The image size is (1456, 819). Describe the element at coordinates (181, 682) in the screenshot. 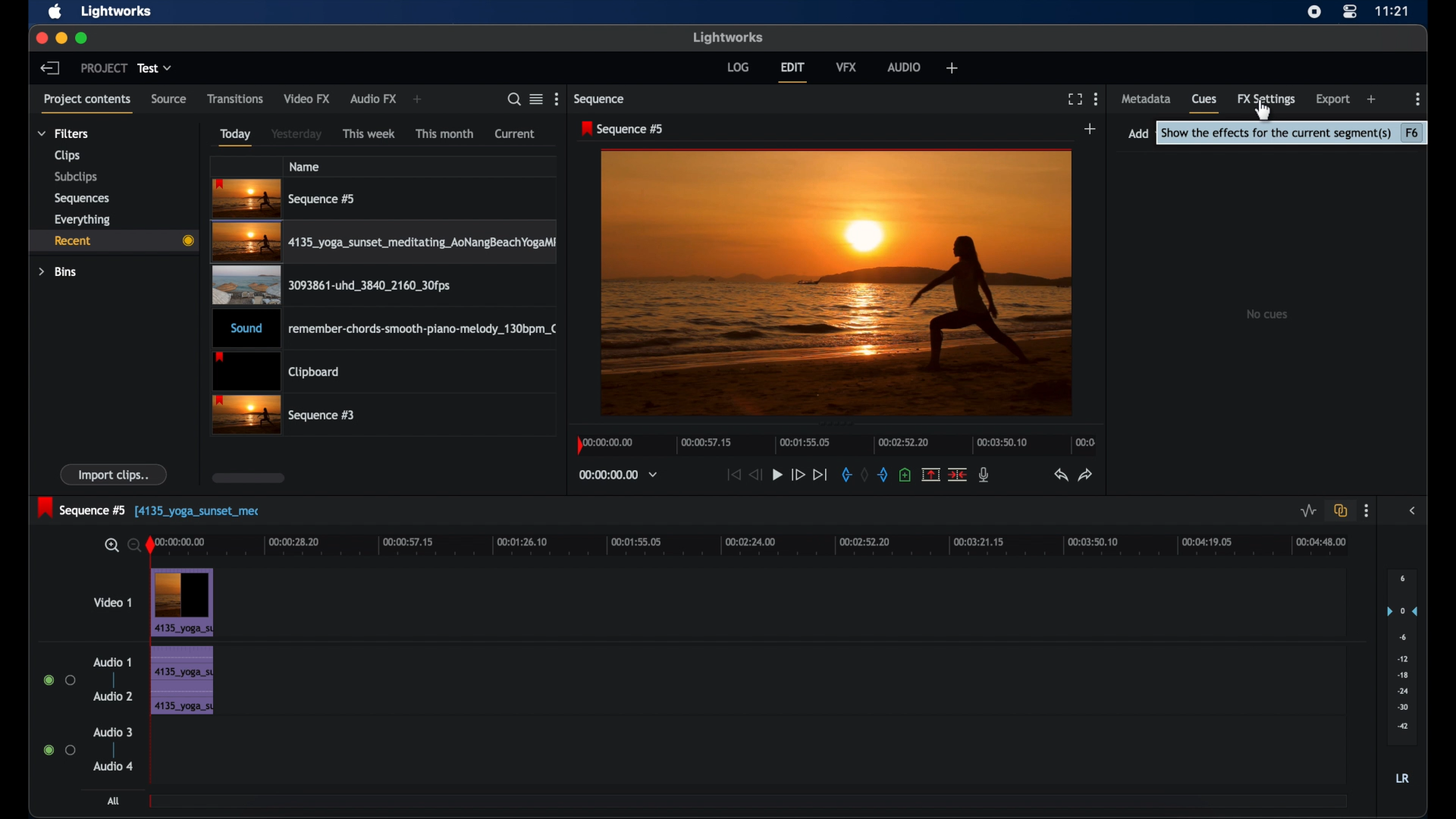

I see `audio clip` at that location.